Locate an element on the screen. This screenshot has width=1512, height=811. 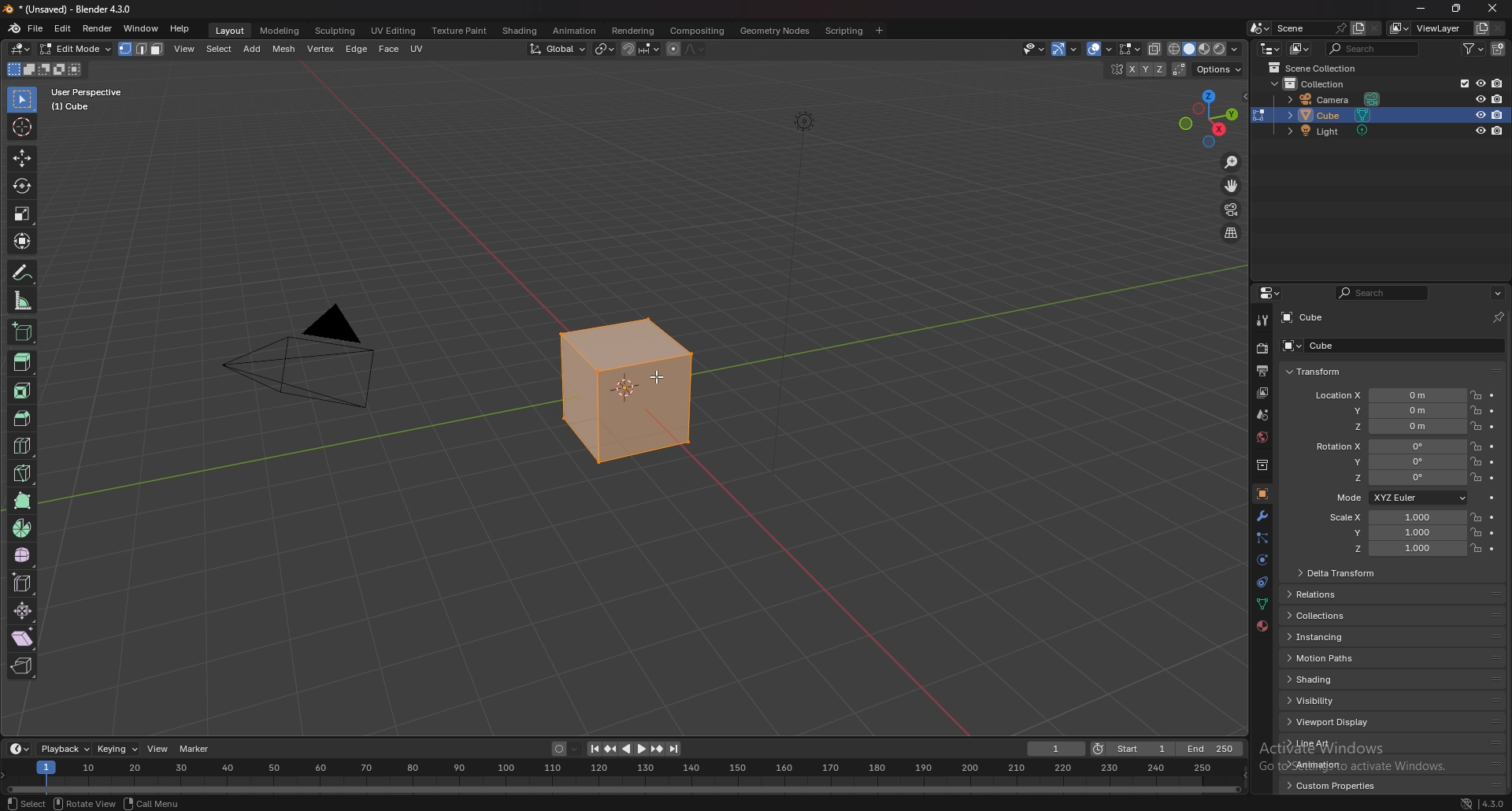
select mode is located at coordinates (142, 49).